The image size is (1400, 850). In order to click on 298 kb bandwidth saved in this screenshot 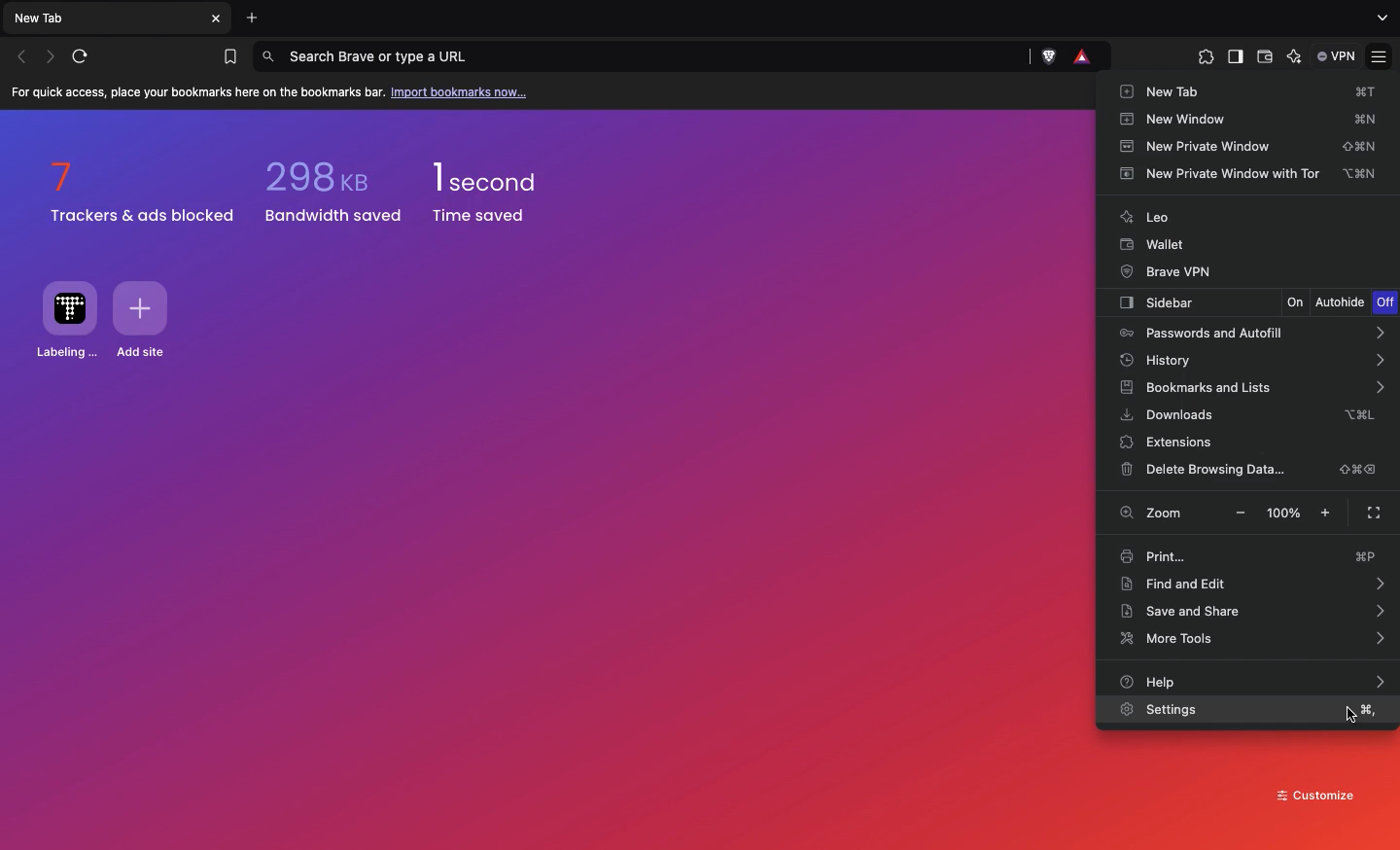, I will do `click(332, 194)`.